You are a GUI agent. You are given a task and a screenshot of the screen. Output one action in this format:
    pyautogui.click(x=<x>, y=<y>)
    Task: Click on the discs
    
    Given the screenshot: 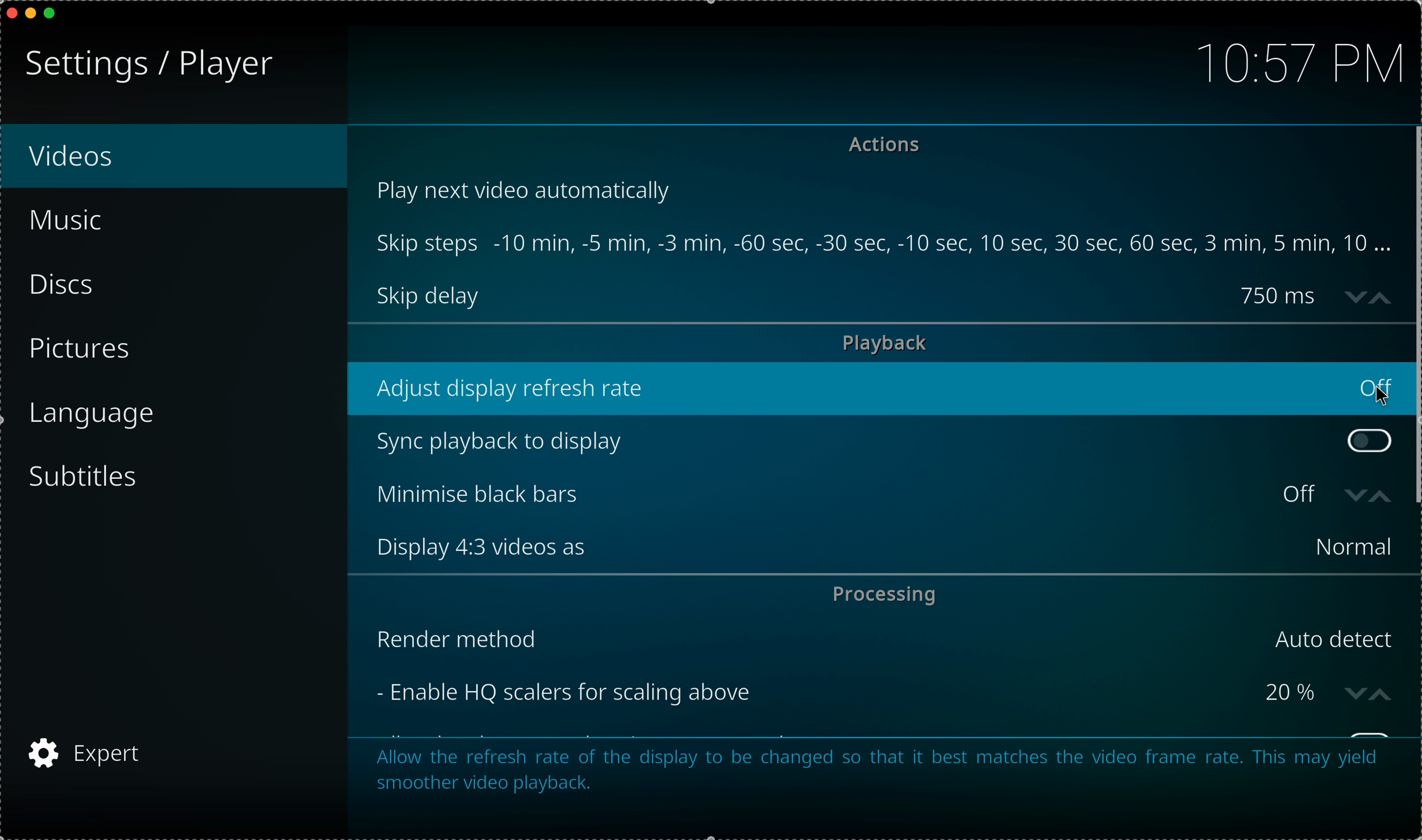 What is the action you would take?
    pyautogui.click(x=69, y=286)
    